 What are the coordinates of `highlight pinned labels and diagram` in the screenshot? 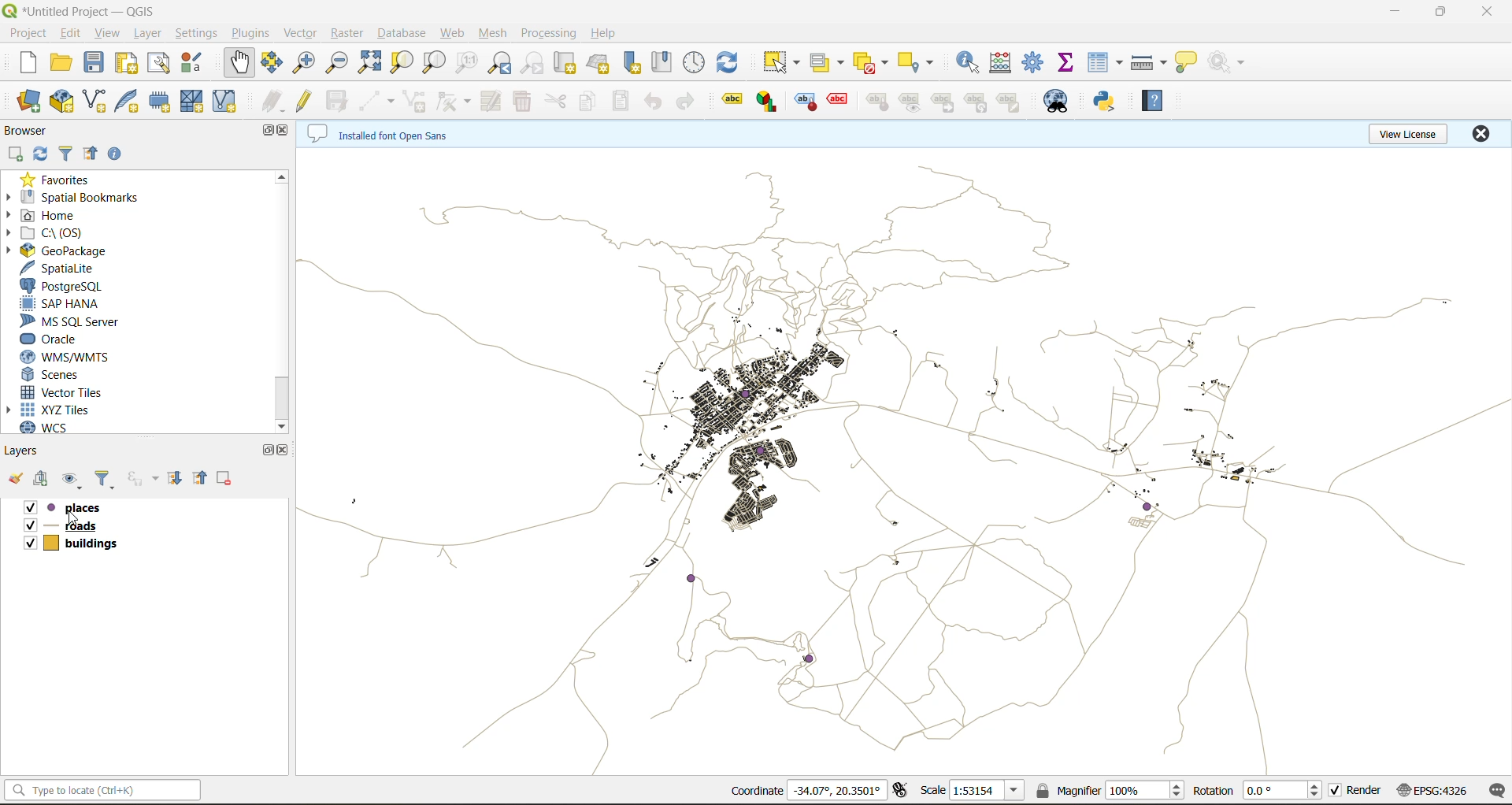 It's located at (804, 102).